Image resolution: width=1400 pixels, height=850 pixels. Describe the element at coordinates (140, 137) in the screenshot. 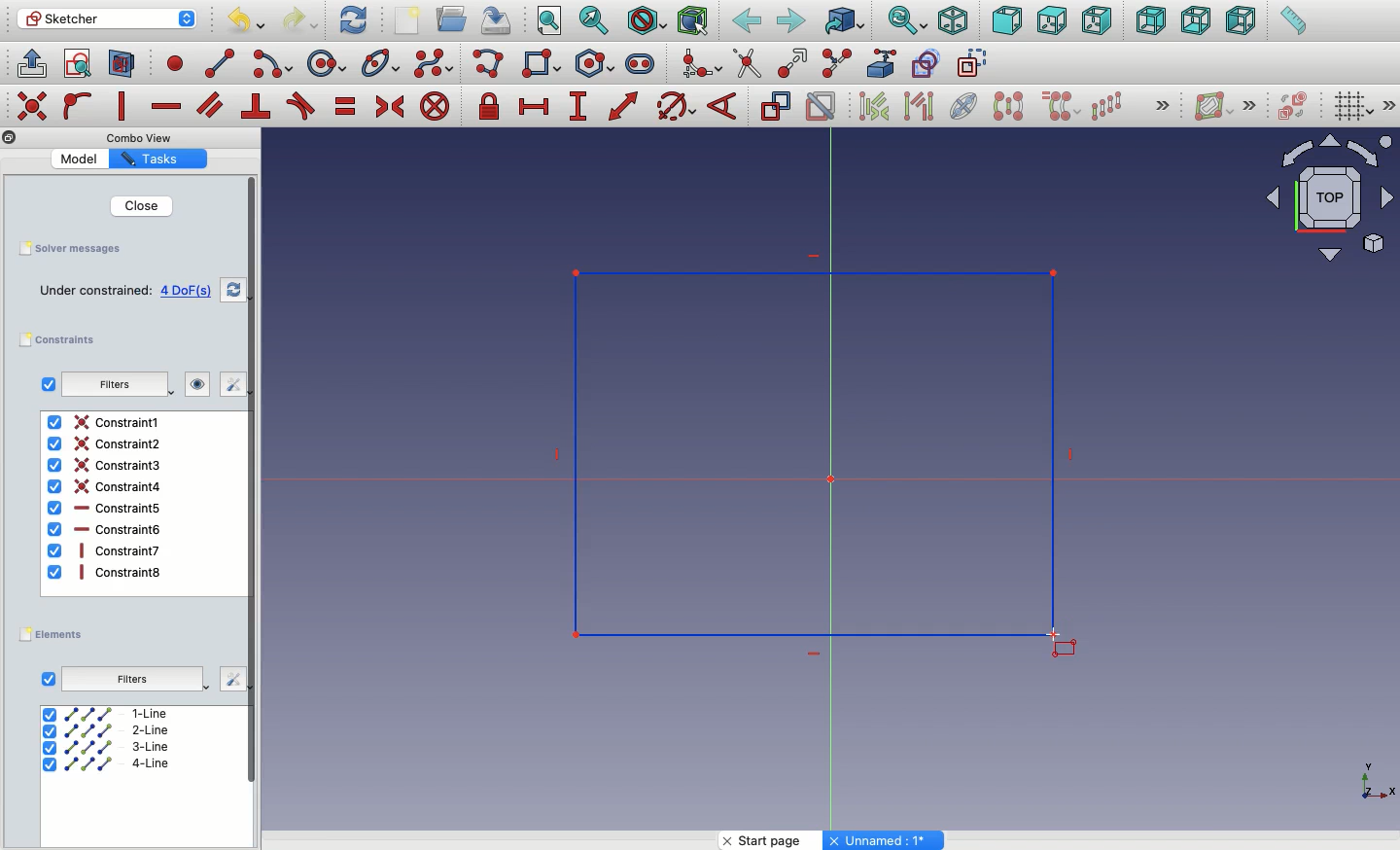

I see `Combo View` at that location.